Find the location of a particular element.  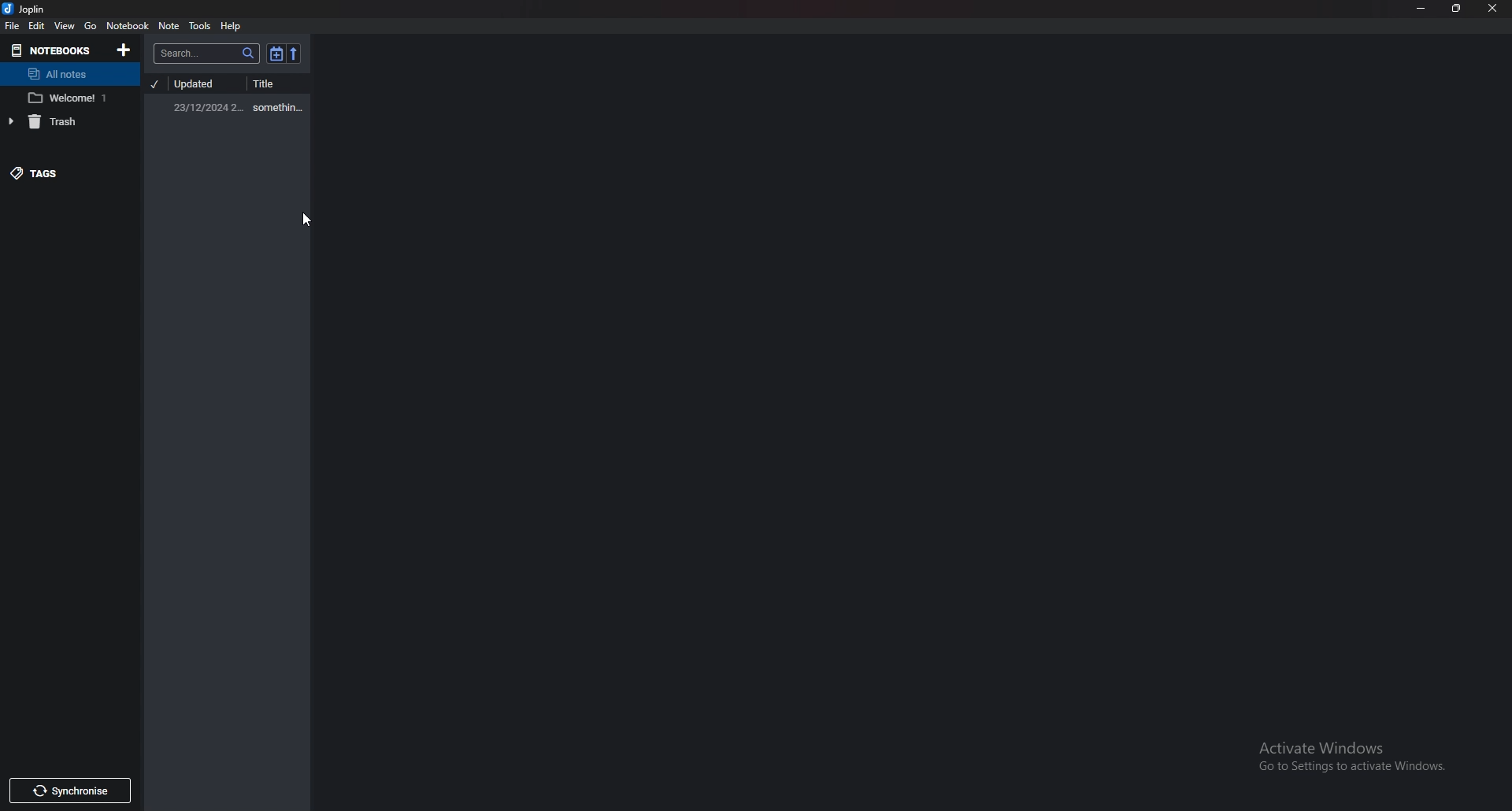

help is located at coordinates (232, 27).